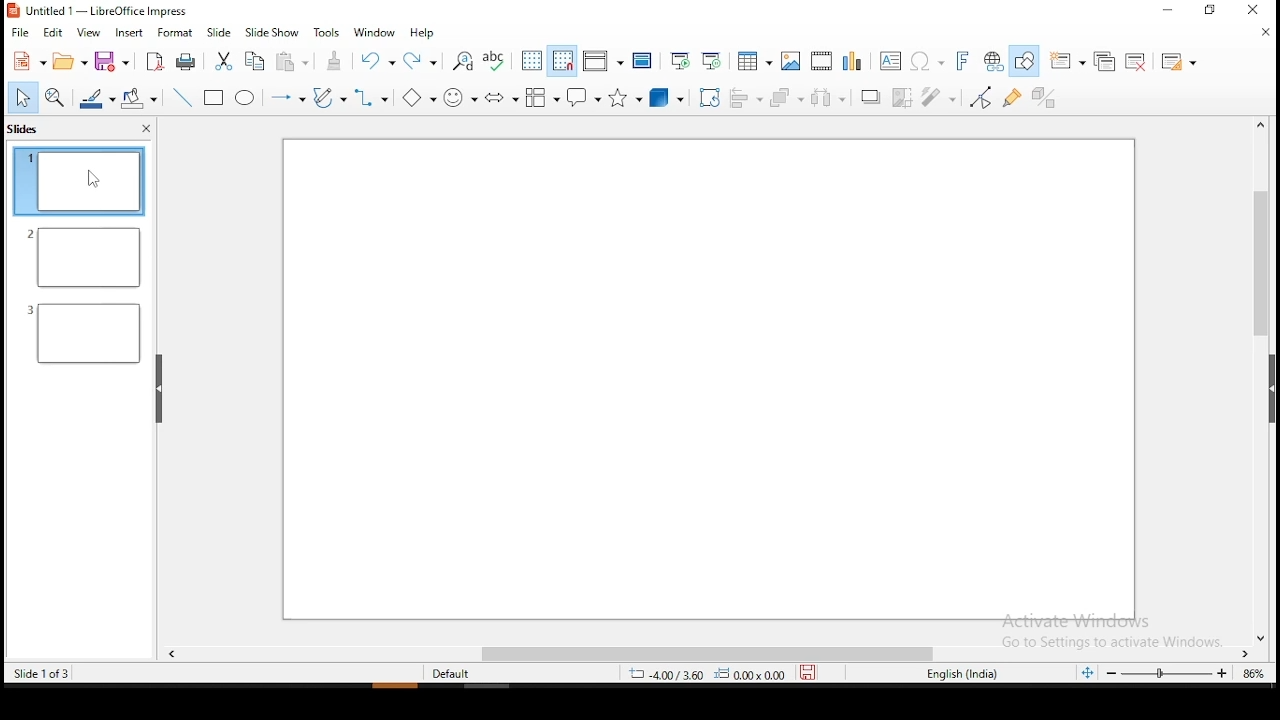 The width and height of the screenshot is (1280, 720). What do you see at coordinates (456, 674) in the screenshot?
I see `default` at bounding box center [456, 674].